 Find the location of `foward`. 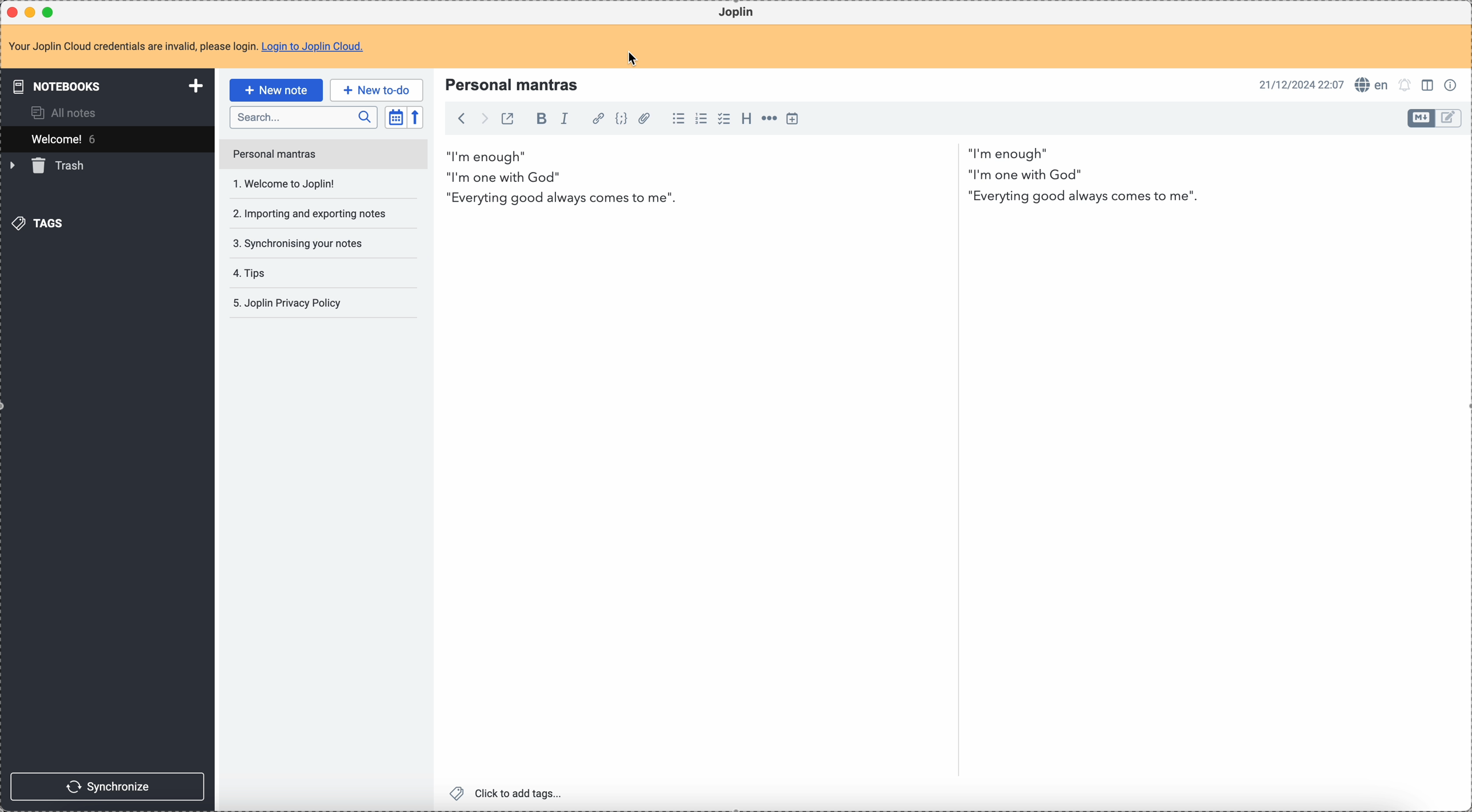

foward is located at coordinates (483, 119).